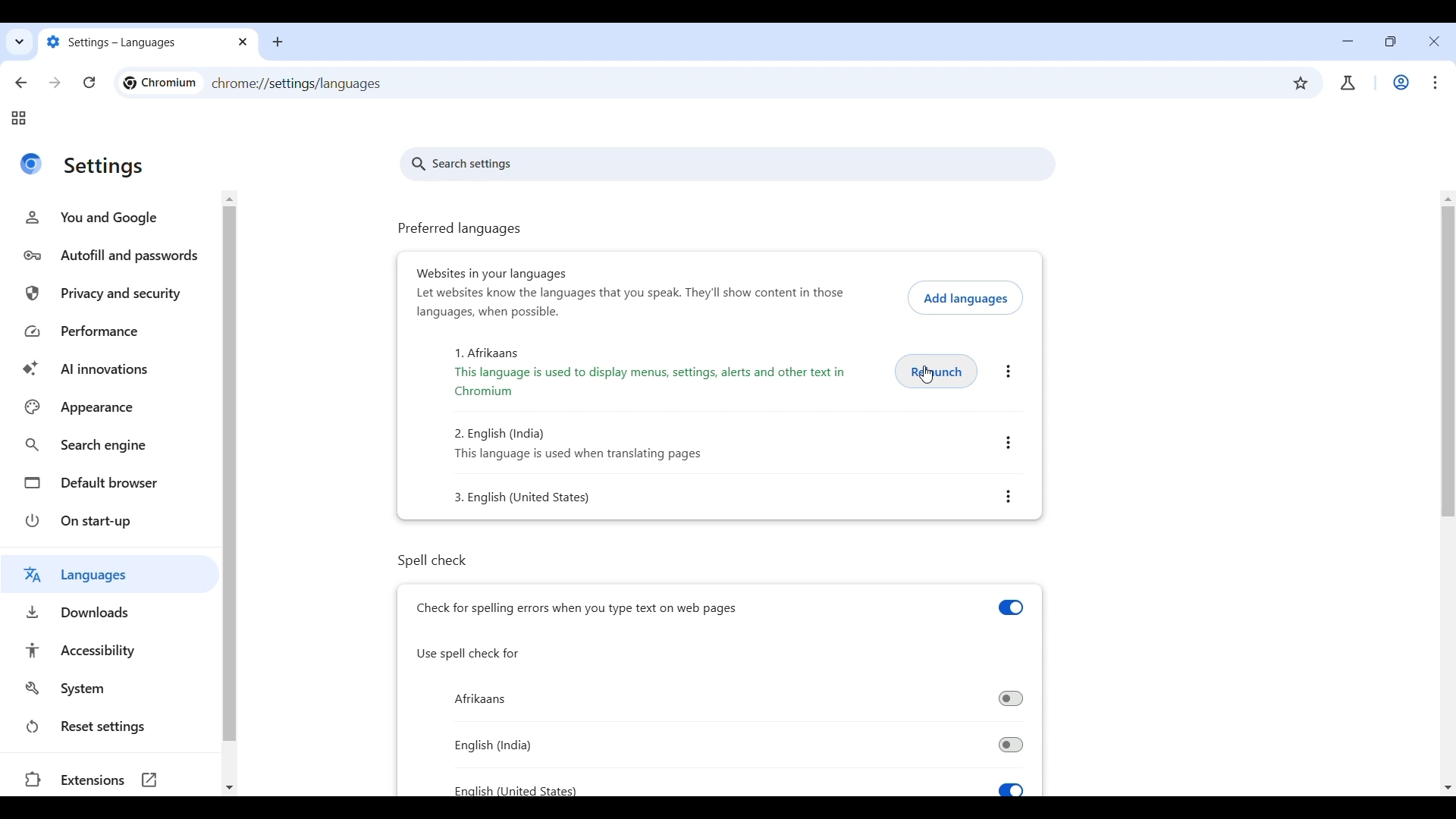 The image size is (1456, 819). What do you see at coordinates (115, 650) in the screenshot?
I see `Accessibility` at bounding box center [115, 650].